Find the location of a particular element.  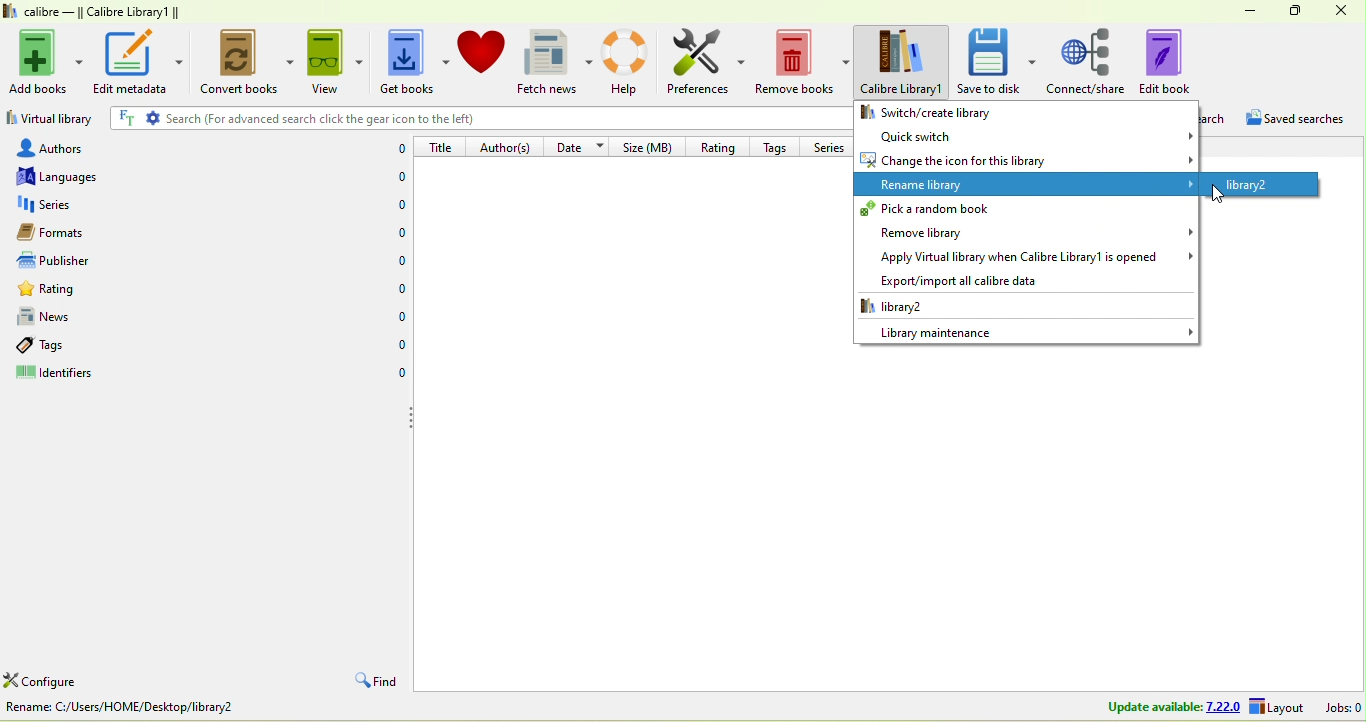

quick switch is located at coordinates (1026, 135).